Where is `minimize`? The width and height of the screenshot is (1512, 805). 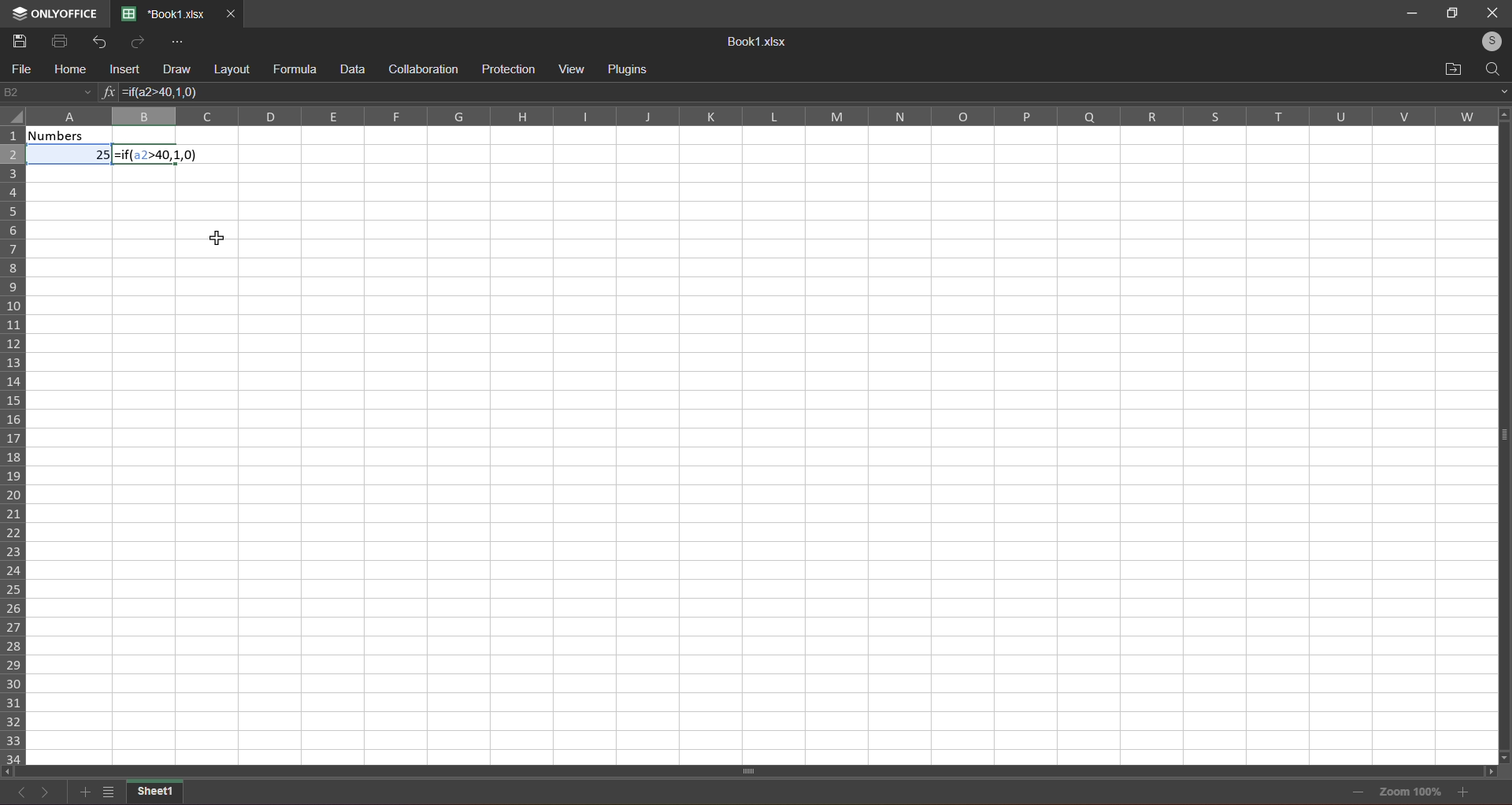
minimize is located at coordinates (1413, 14).